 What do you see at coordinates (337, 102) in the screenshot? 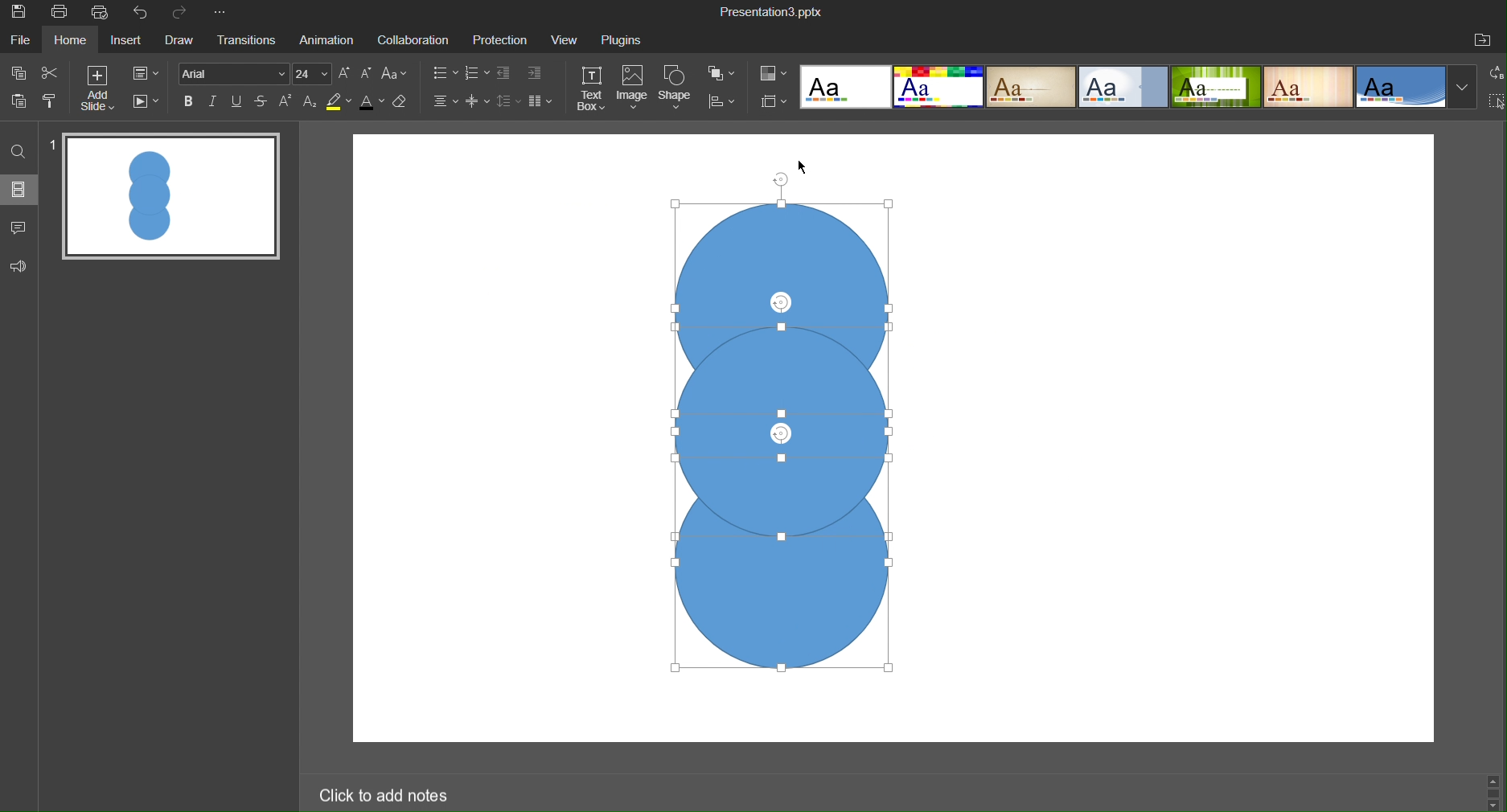
I see `Highlight` at bounding box center [337, 102].